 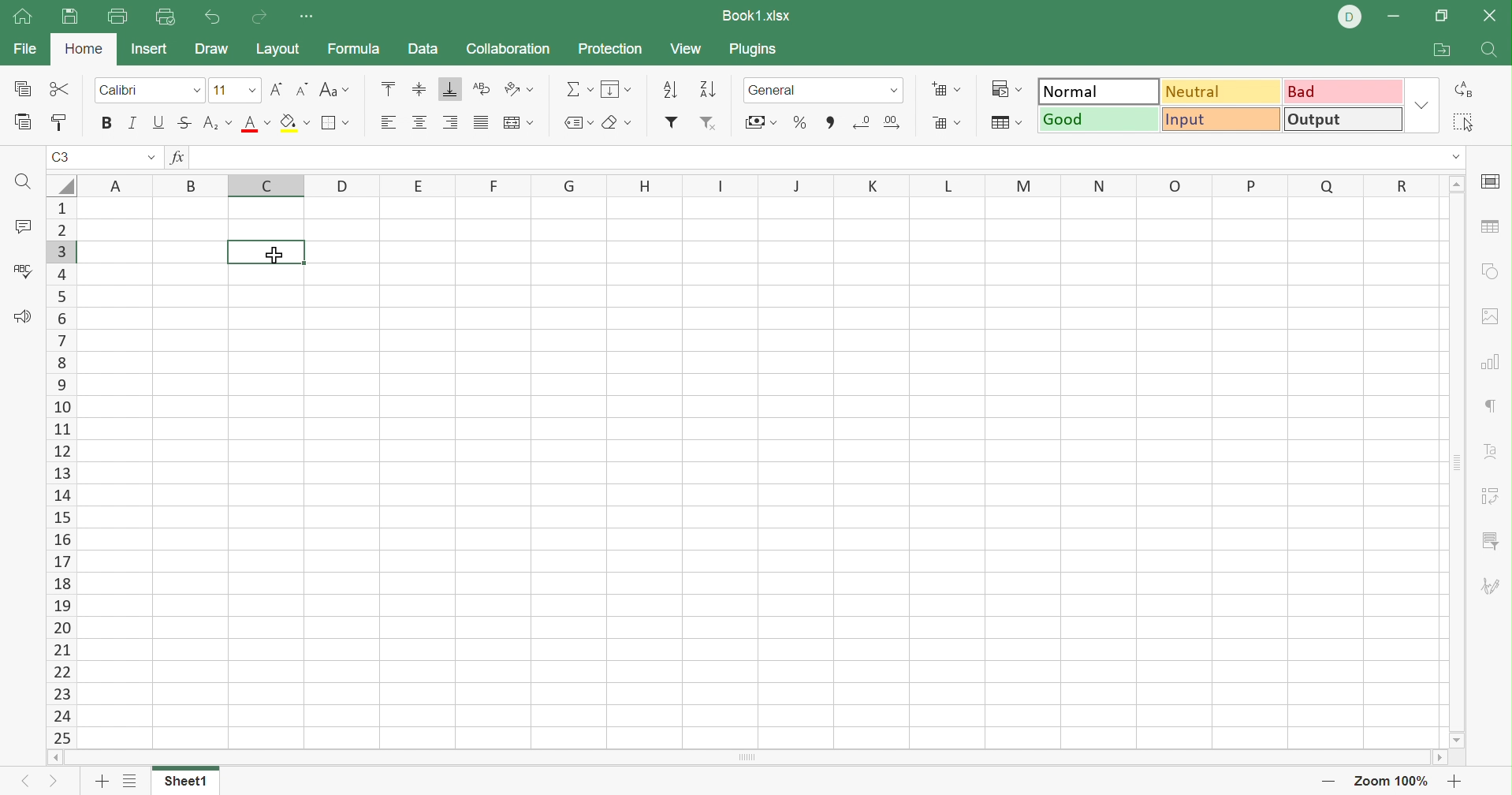 What do you see at coordinates (1325, 782) in the screenshot?
I see `Zoom out` at bounding box center [1325, 782].